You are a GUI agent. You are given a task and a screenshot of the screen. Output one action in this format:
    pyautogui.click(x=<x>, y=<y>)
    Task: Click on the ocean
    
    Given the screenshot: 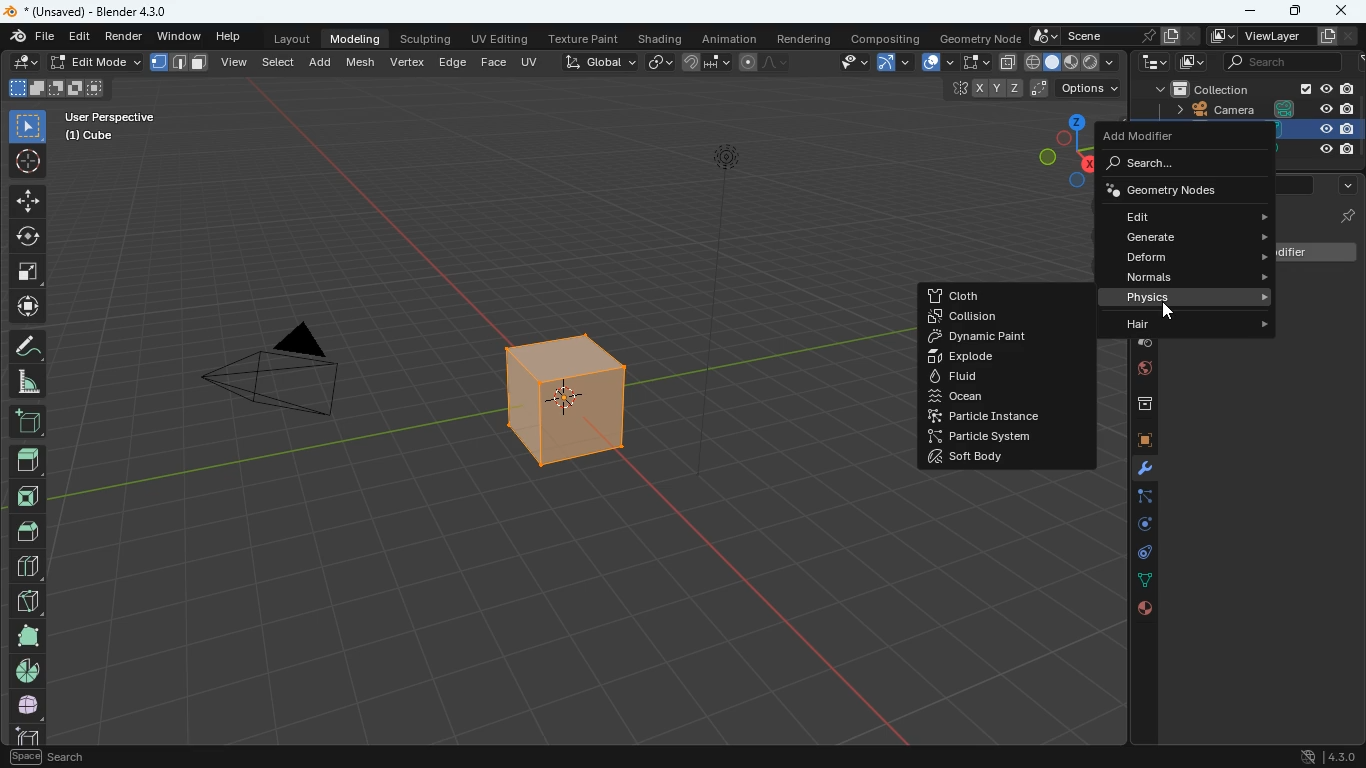 What is the action you would take?
    pyautogui.click(x=1010, y=396)
    